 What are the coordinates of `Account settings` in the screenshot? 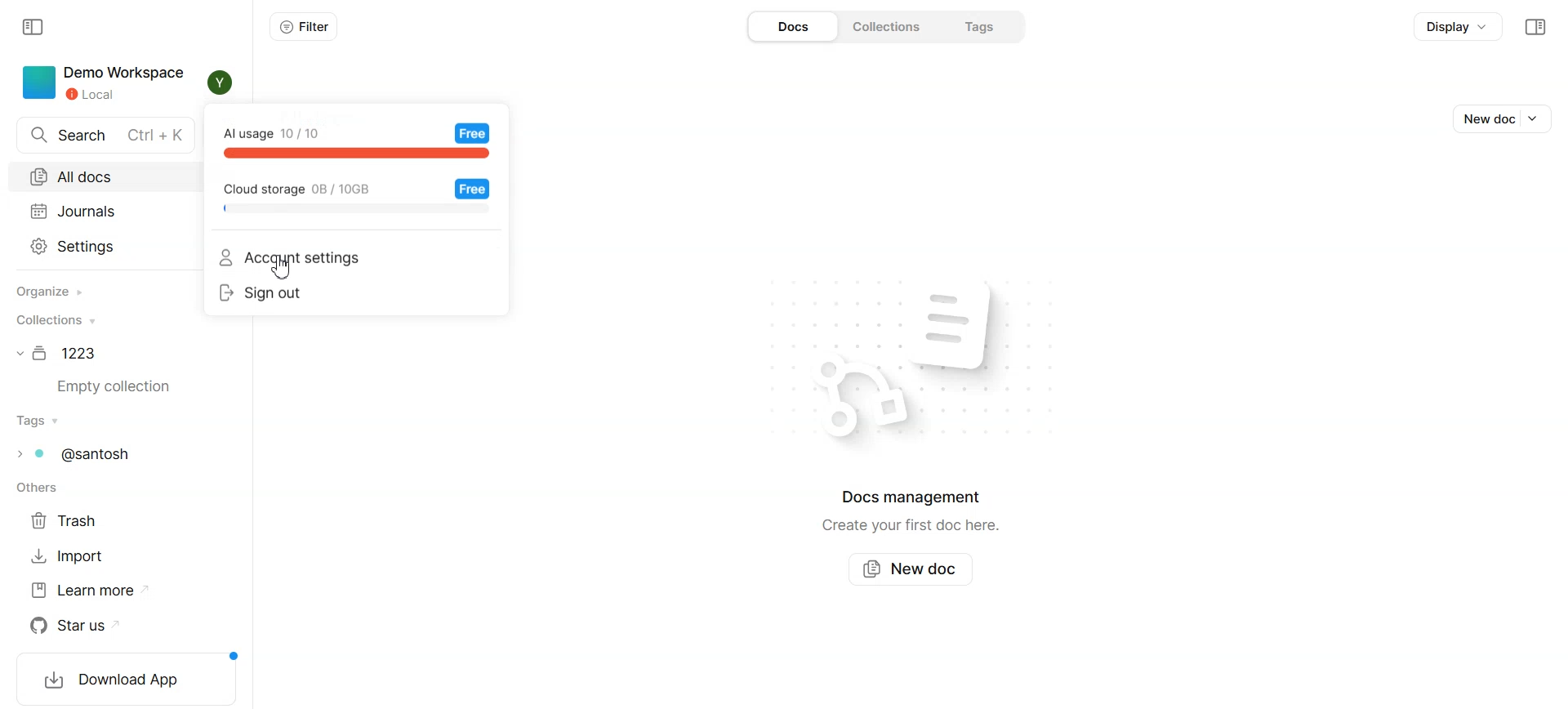 It's located at (355, 258).